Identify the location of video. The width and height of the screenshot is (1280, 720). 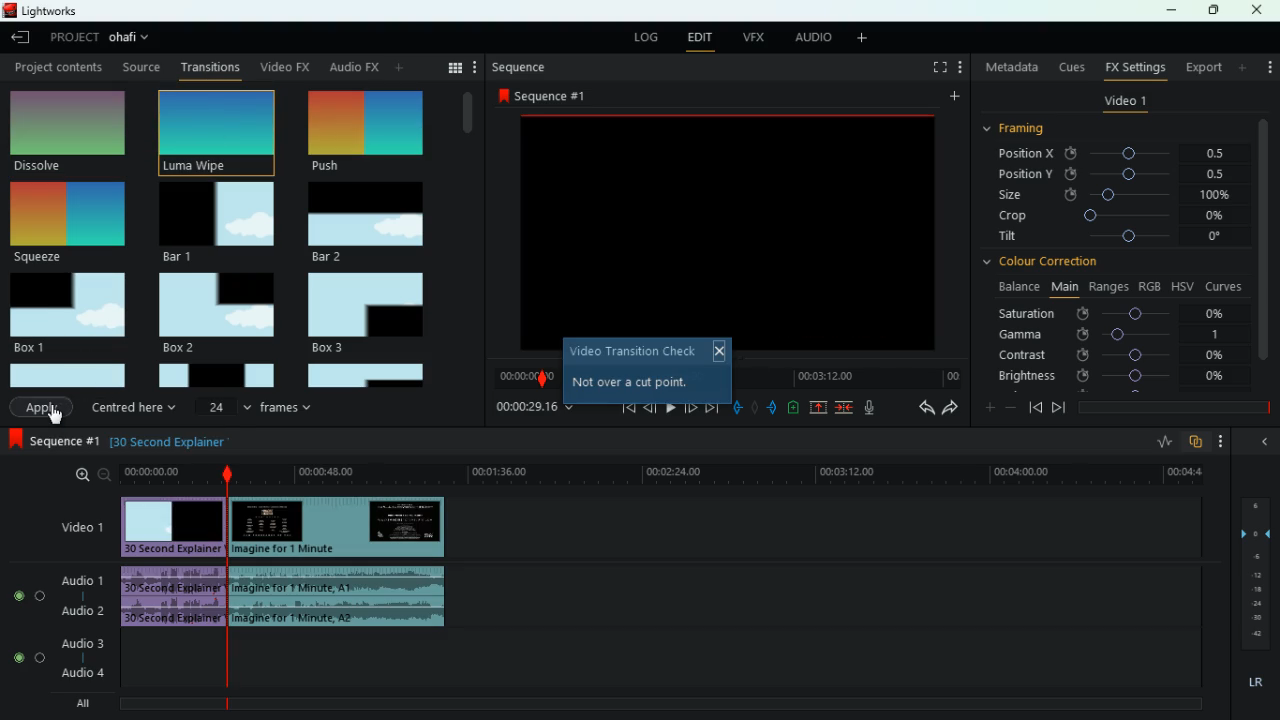
(342, 527).